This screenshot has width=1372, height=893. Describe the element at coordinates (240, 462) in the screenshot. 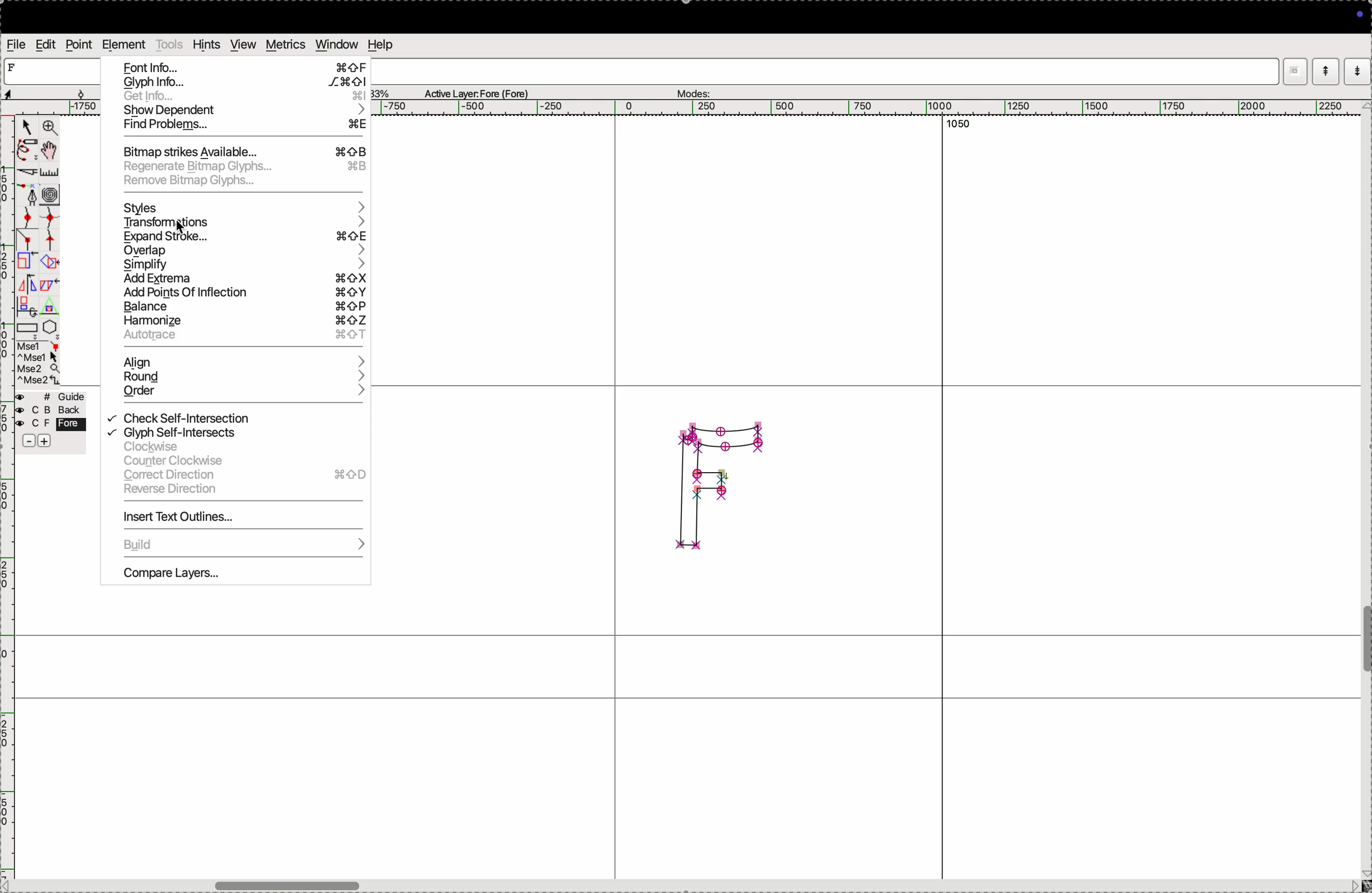

I see `counter  clock wise` at that location.